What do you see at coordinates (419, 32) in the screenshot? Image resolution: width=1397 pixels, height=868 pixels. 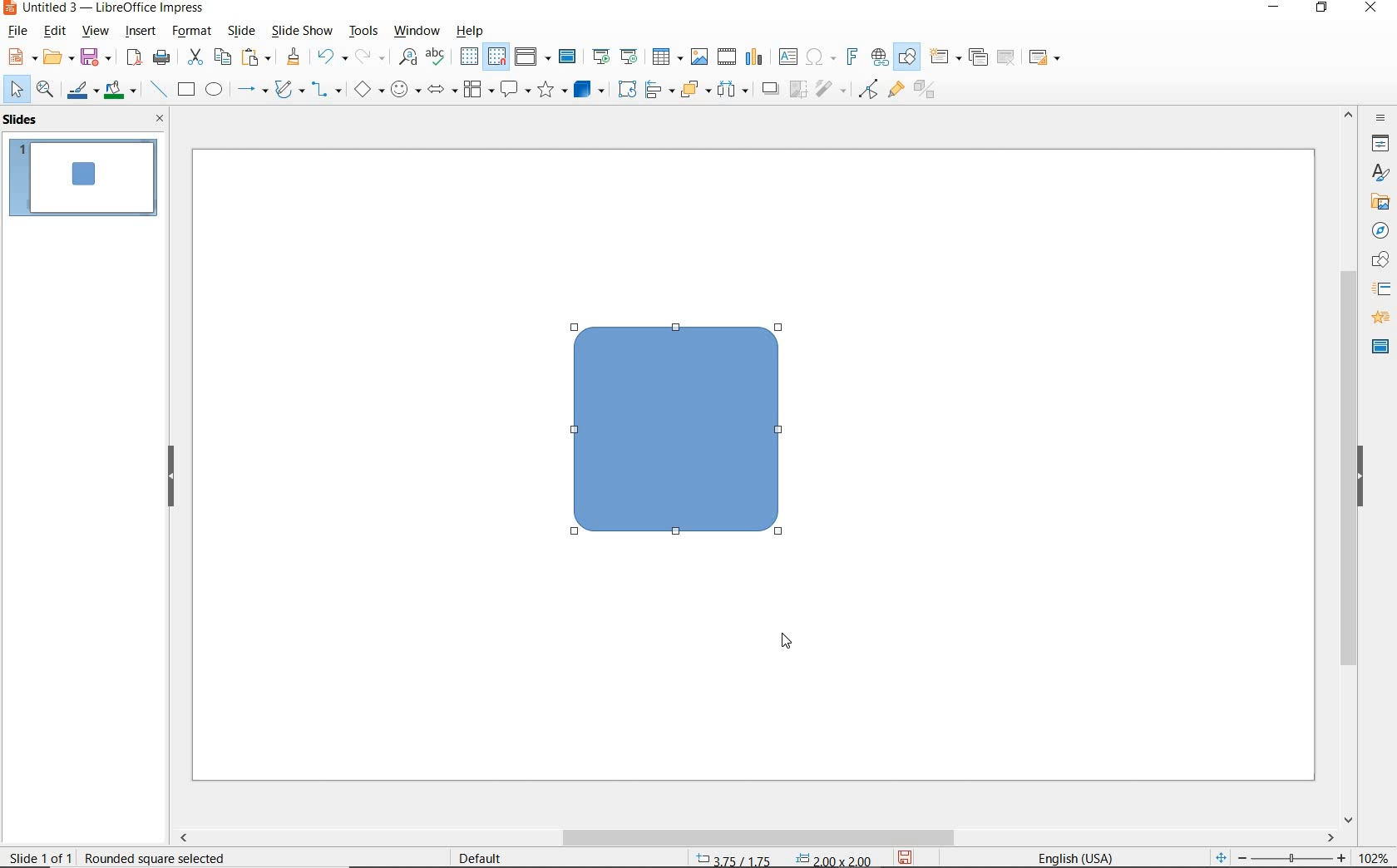 I see `window` at bounding box center [419, 32].